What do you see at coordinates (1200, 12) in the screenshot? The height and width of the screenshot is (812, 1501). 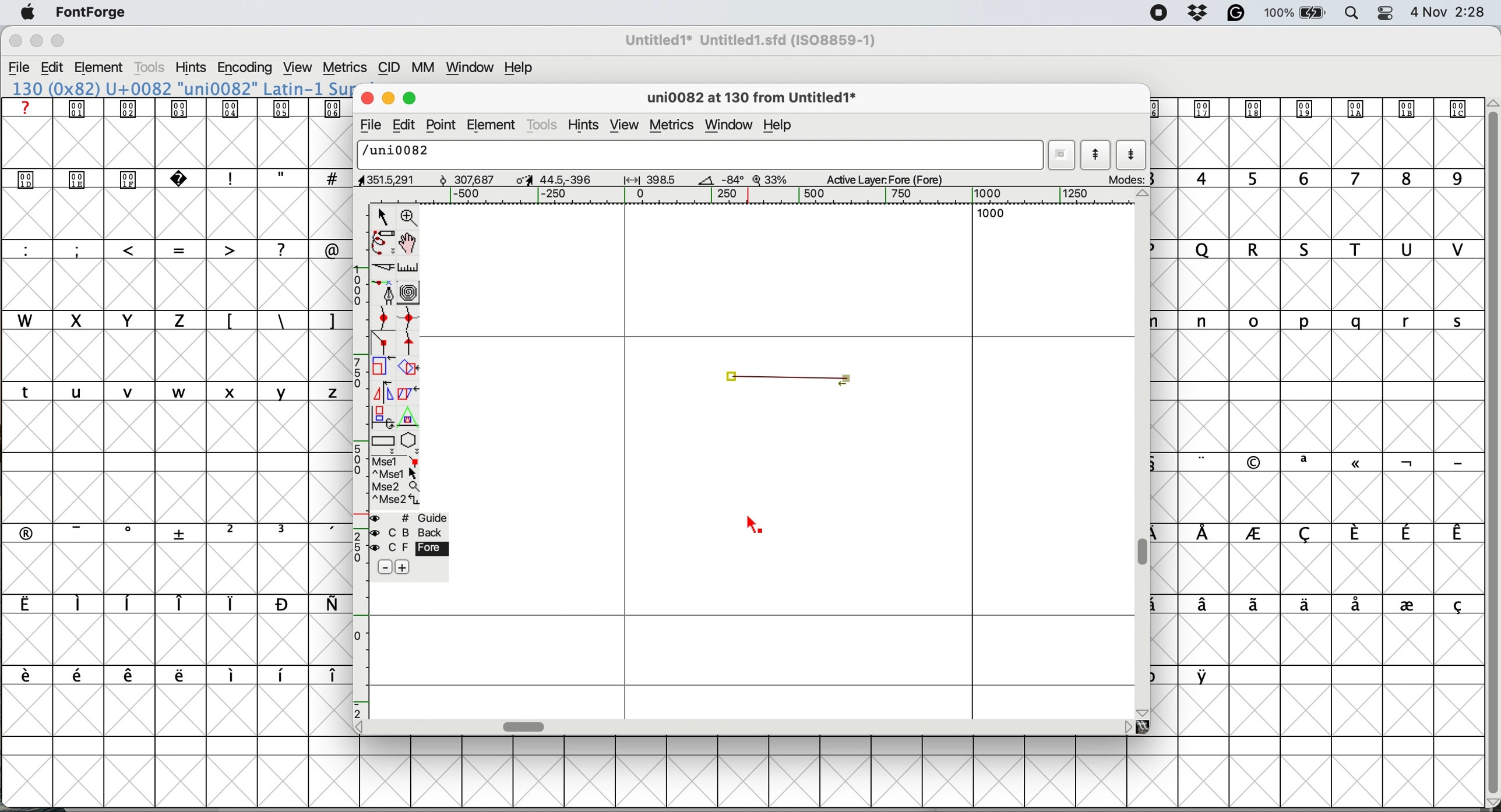 I see `dropbox` at bounding box center [1200, 12].